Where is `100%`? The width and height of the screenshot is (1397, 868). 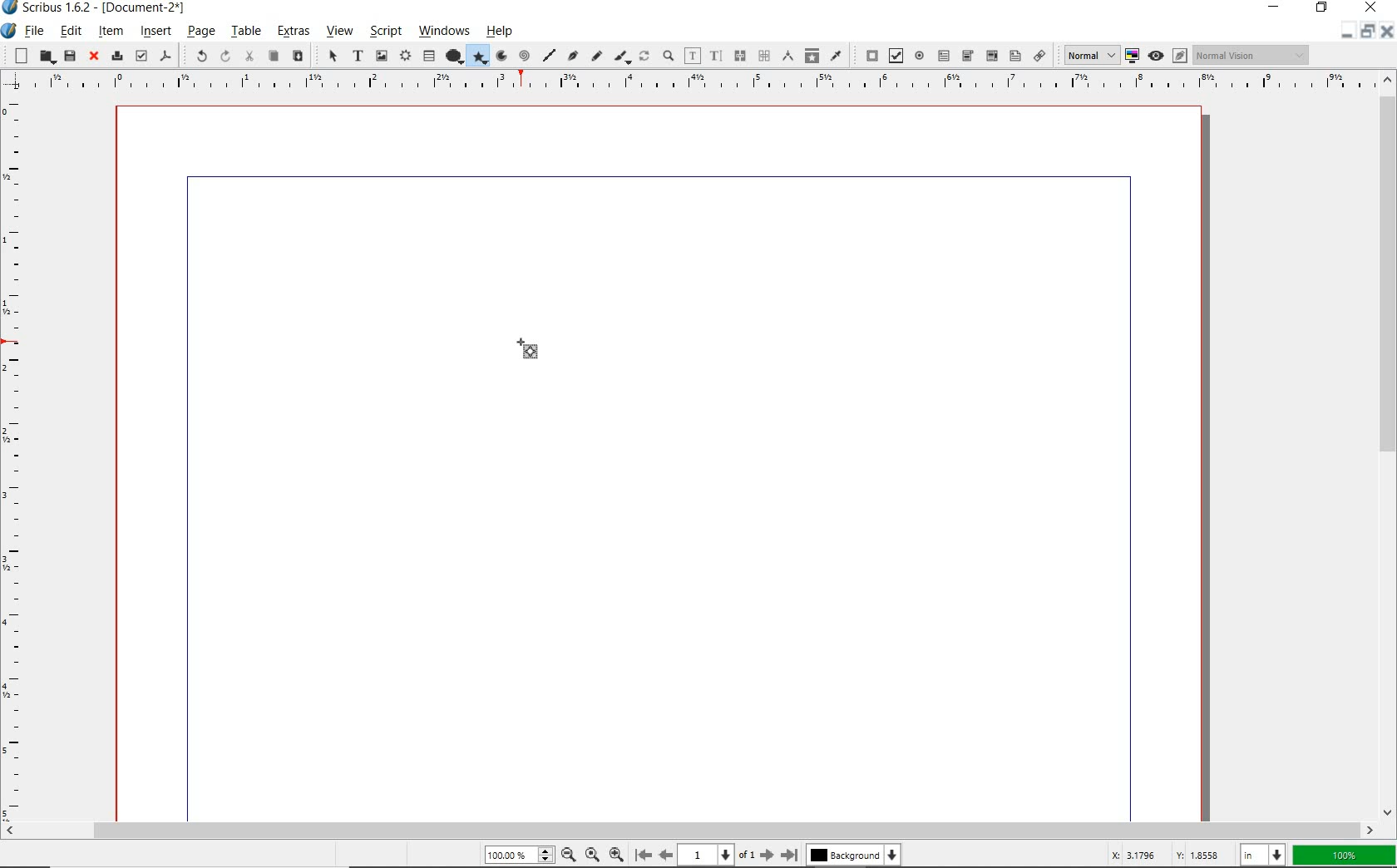
100% is located at coordinates (1341, 854).